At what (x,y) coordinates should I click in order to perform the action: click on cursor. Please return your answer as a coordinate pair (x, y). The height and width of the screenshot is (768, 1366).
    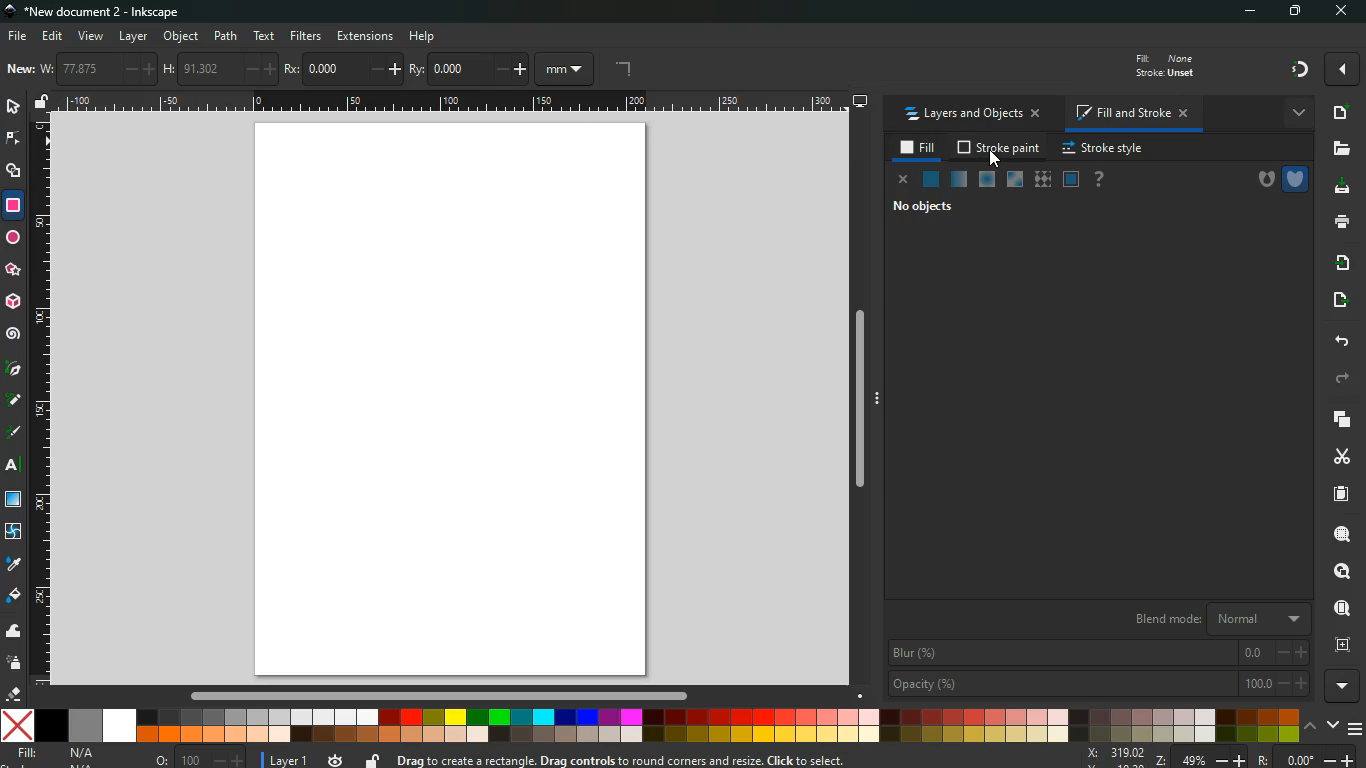
    Looking at the image, I should click on (996, 160).